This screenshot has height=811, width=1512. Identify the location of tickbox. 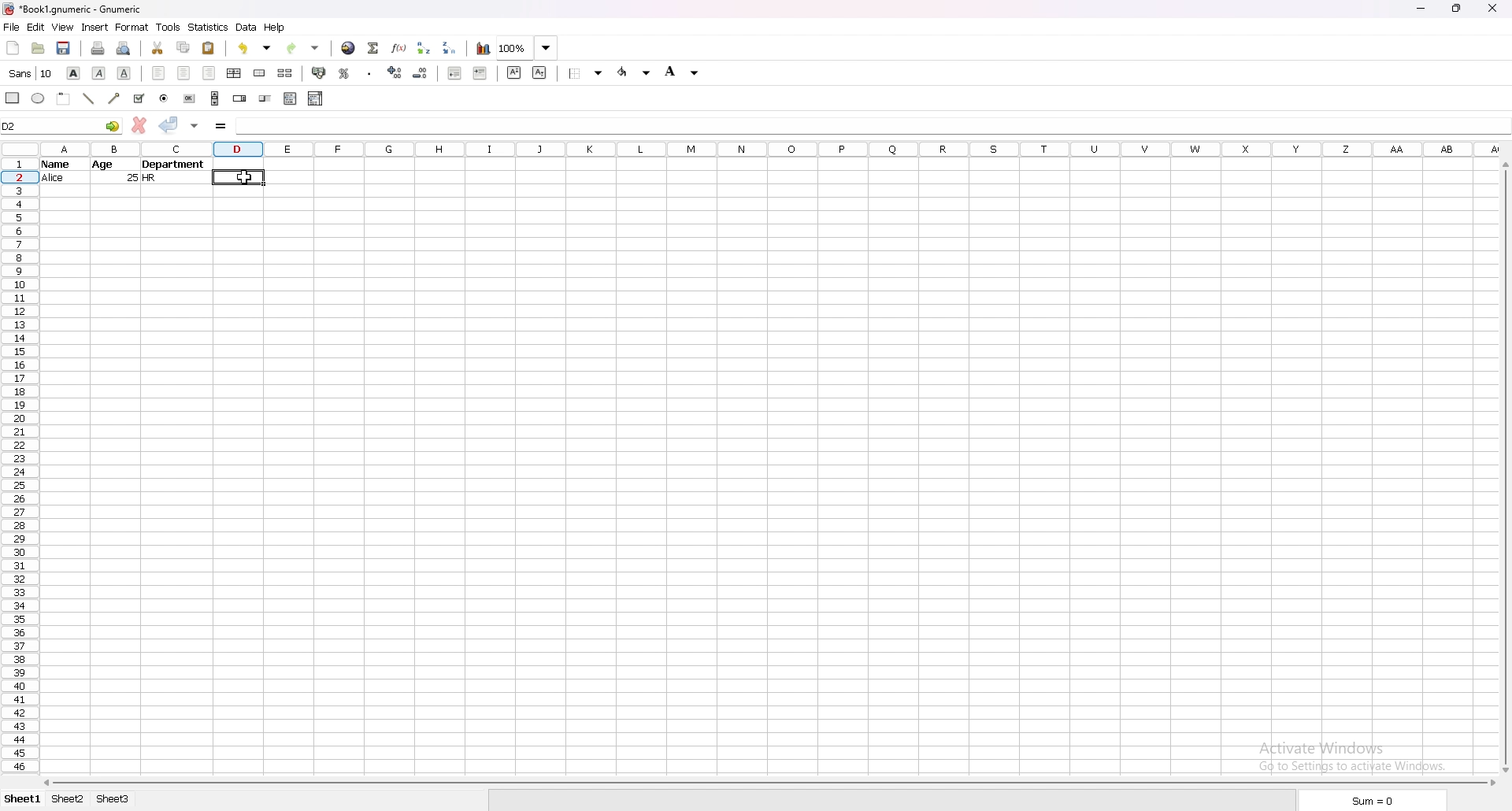
(139, 98).